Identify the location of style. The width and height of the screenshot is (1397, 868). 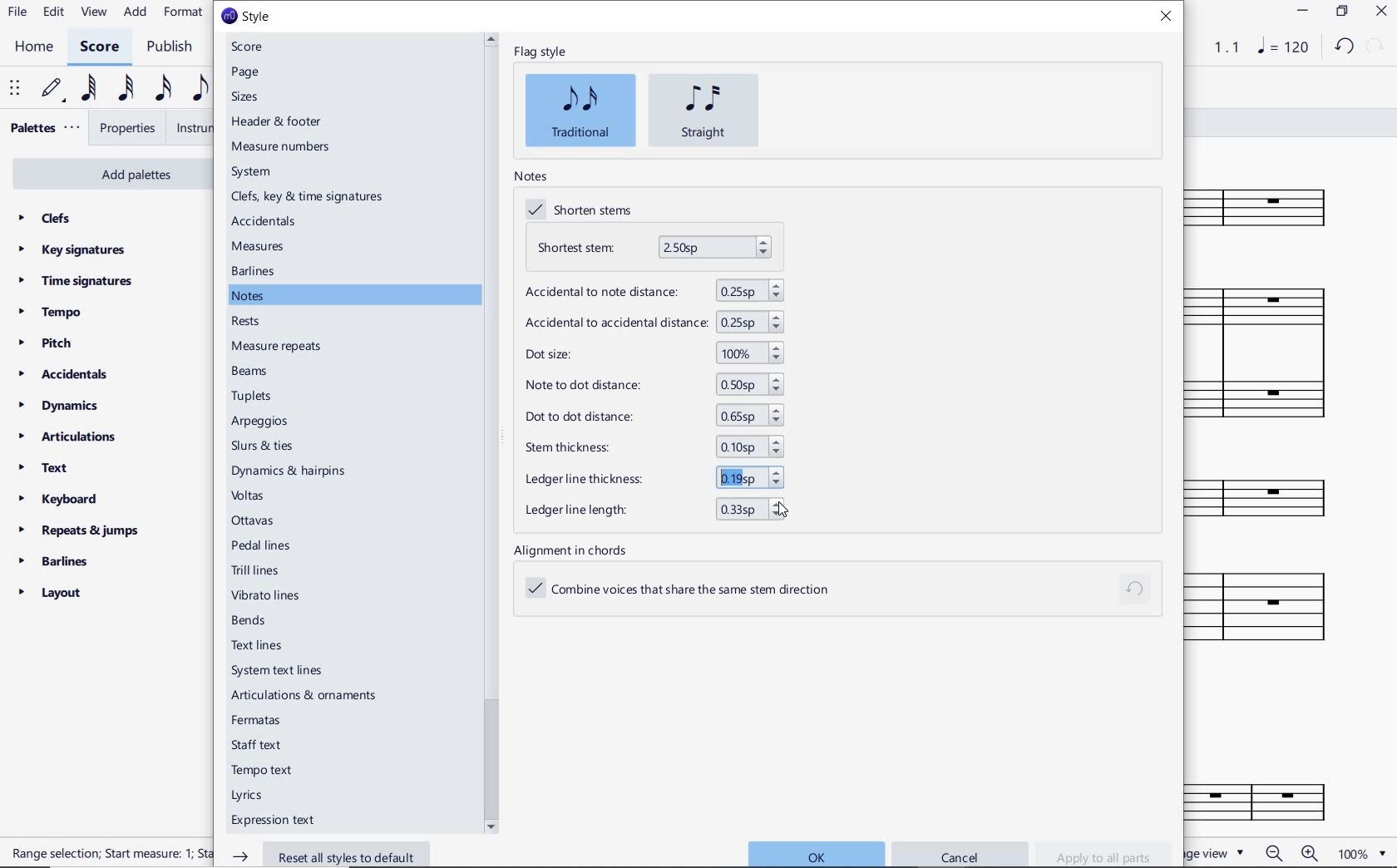
(247, 17).